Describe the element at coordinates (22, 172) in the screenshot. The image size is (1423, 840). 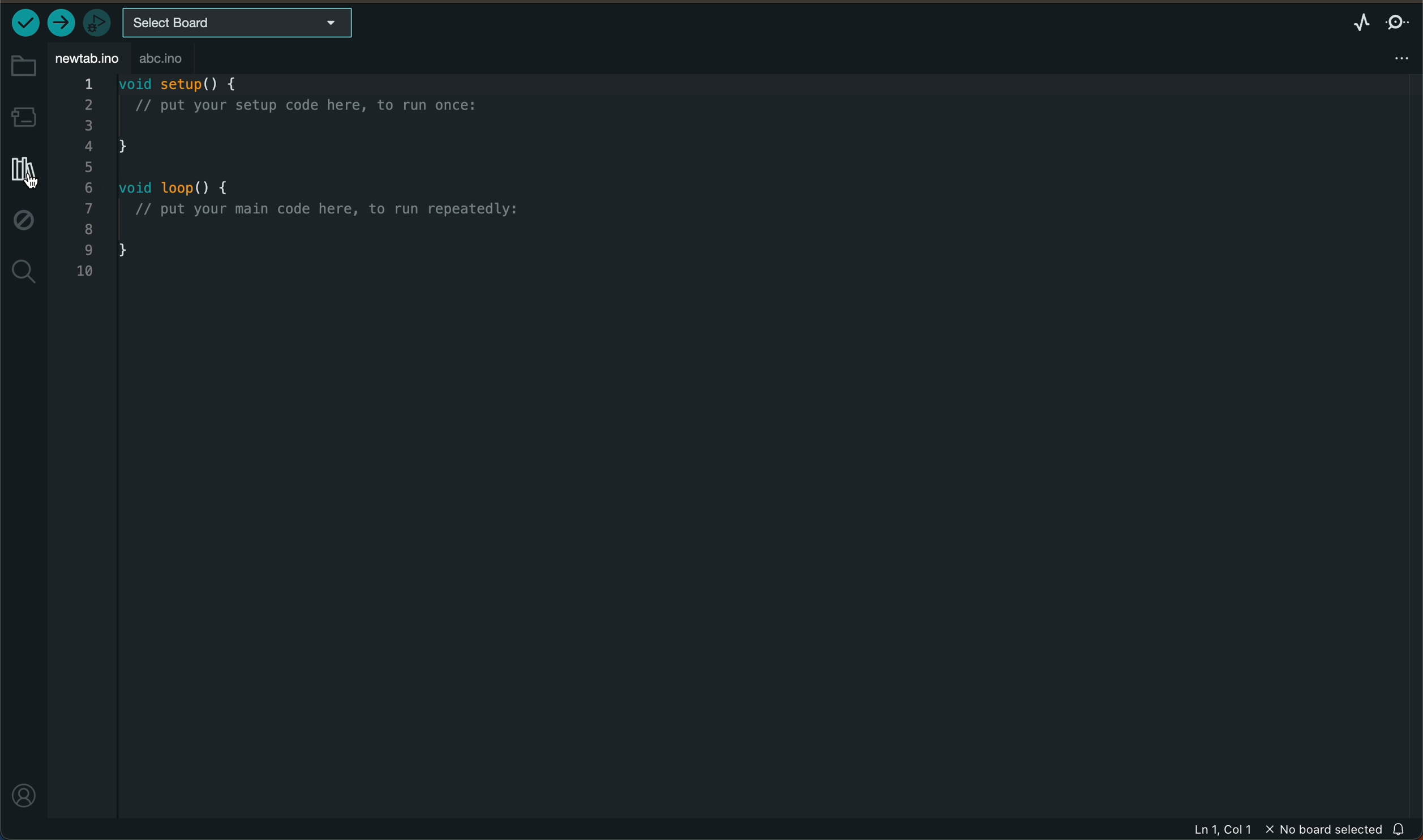
I see `library manager` at that location.